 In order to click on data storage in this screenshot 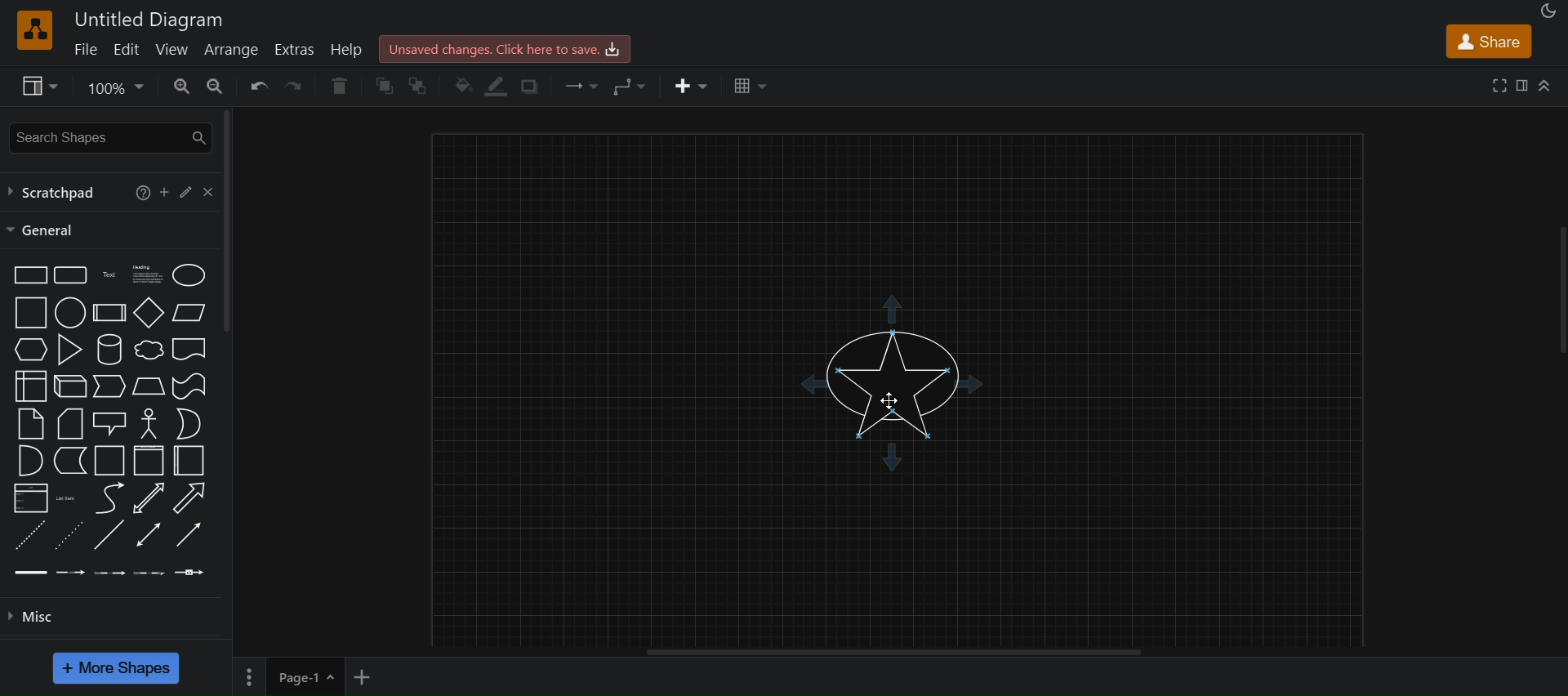, I will do `click(69, 459)`.